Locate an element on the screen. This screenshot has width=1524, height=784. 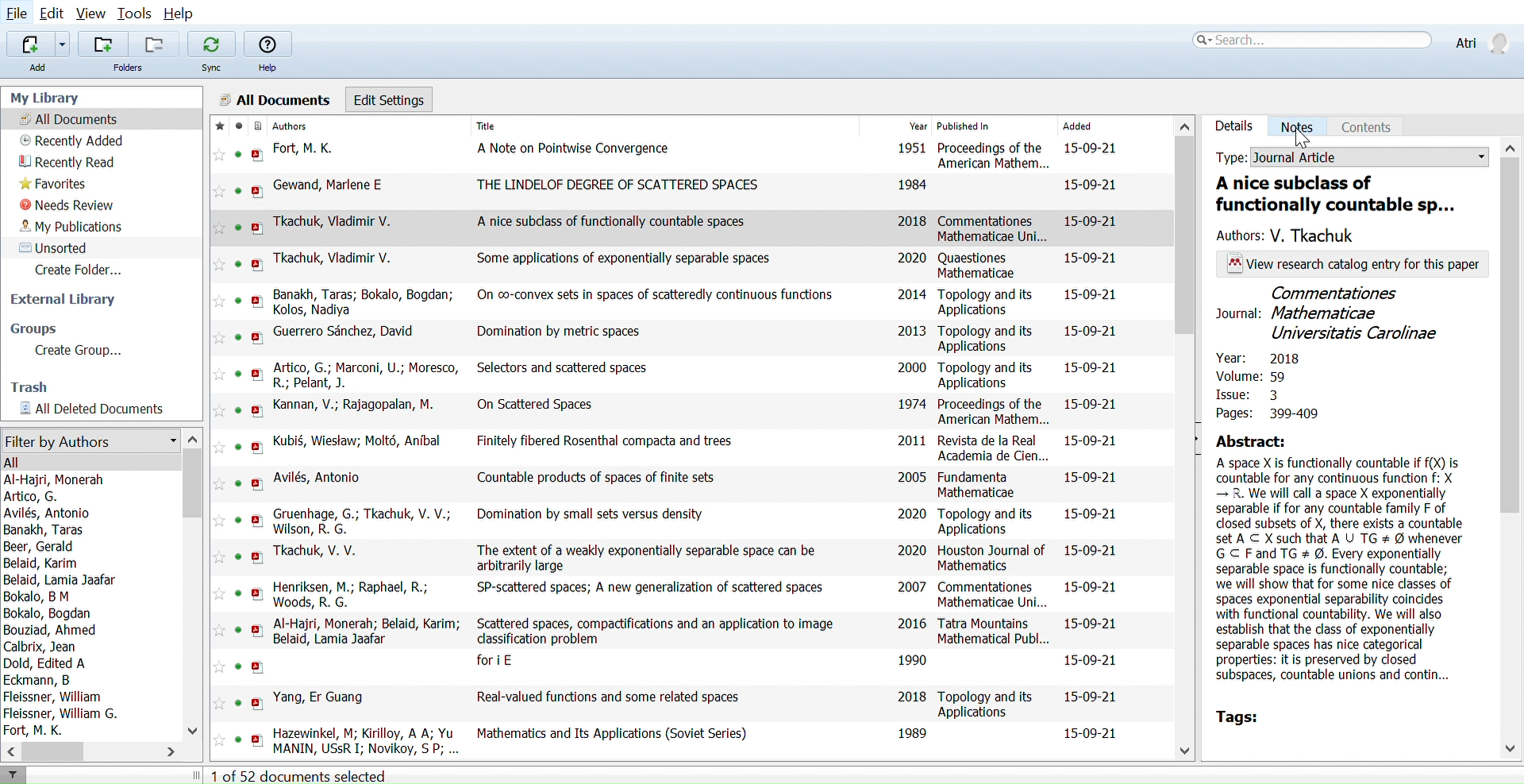
Some applications of exponentially separable spaces is located at coordinates (628, 259).